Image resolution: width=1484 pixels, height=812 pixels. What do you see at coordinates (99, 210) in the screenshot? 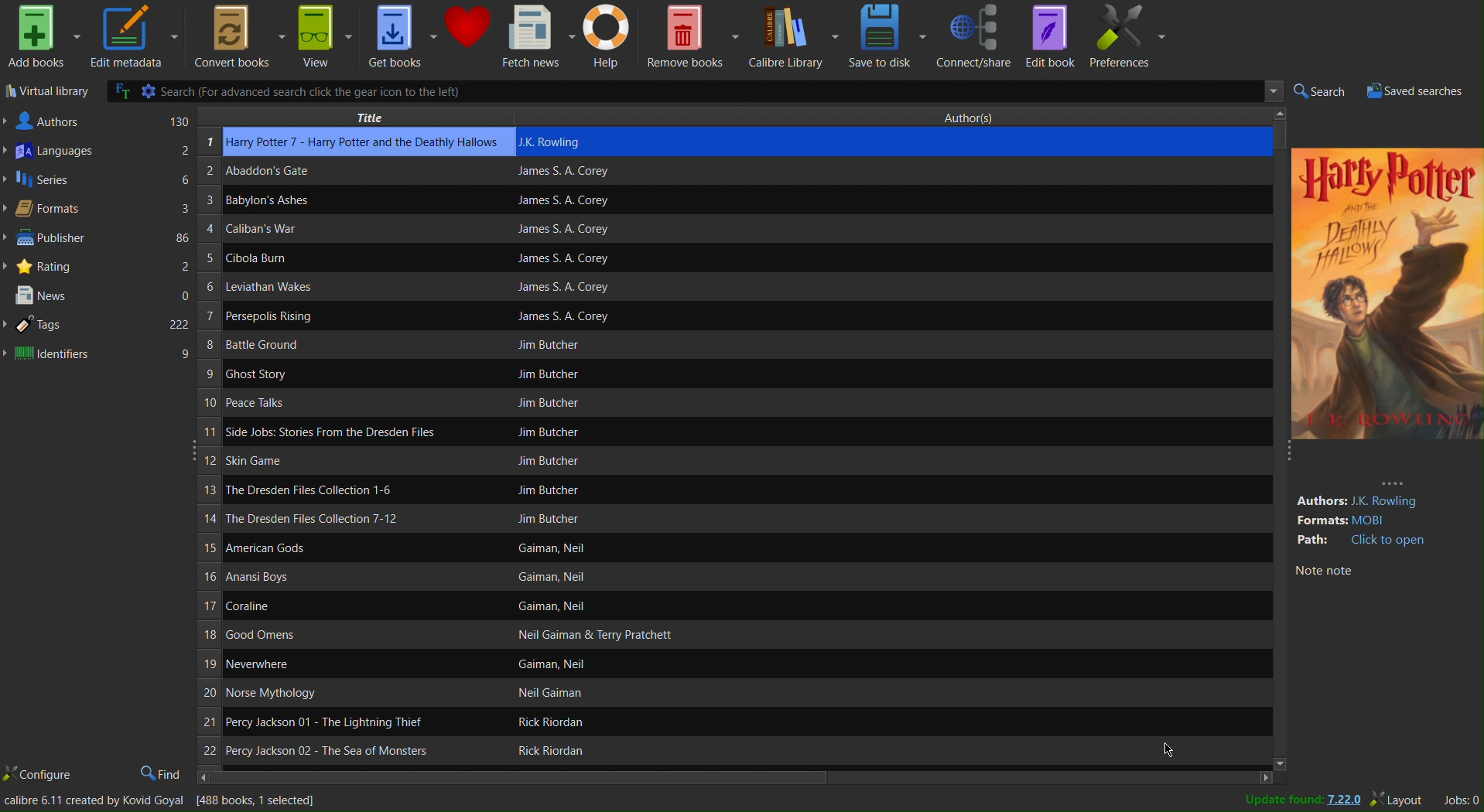
I see `Formats` at bounding box center [99, 210].